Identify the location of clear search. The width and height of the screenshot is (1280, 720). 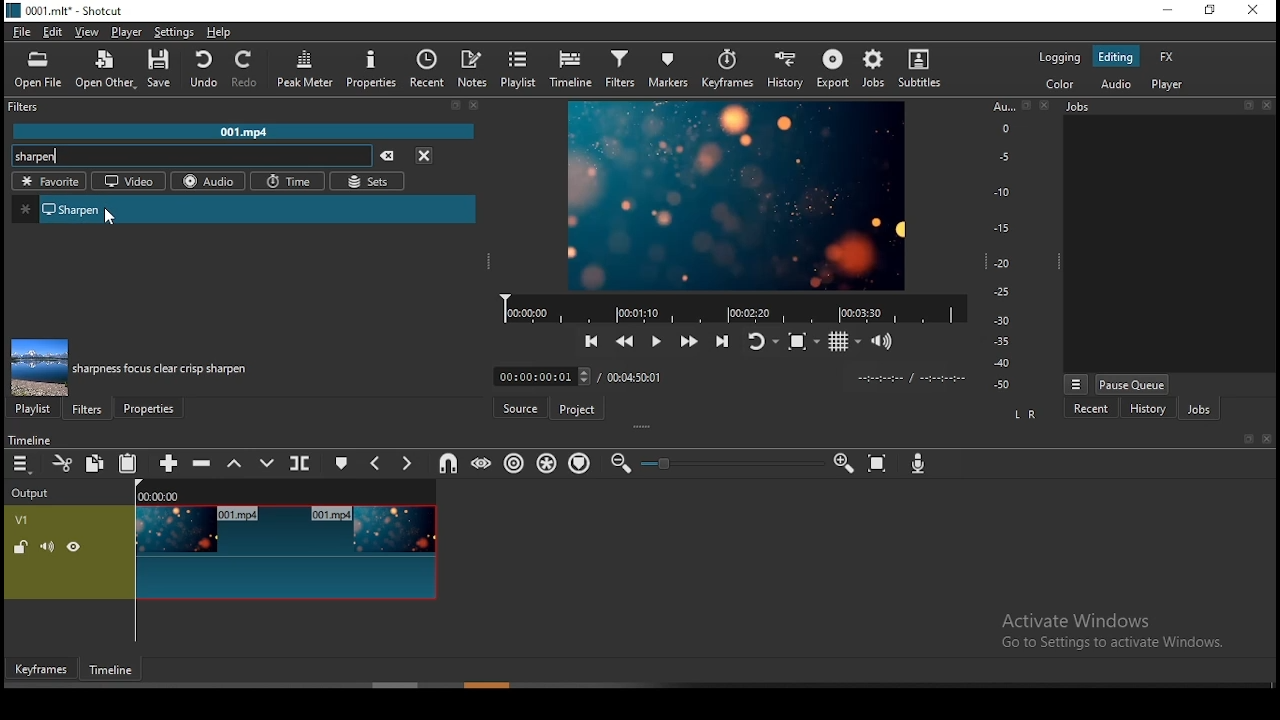
(391, 154).